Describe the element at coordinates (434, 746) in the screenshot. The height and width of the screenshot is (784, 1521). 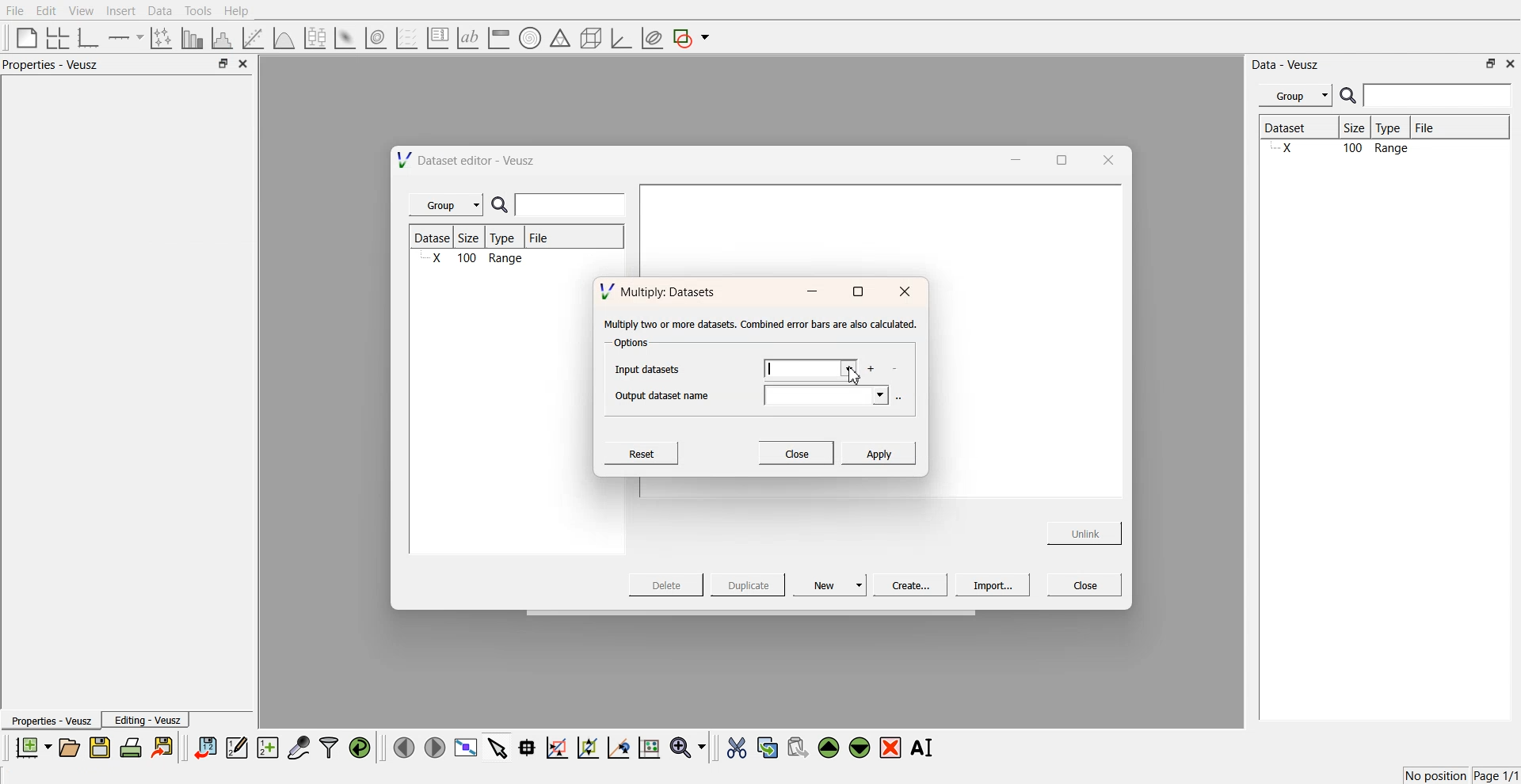
I see `move right` at that location.